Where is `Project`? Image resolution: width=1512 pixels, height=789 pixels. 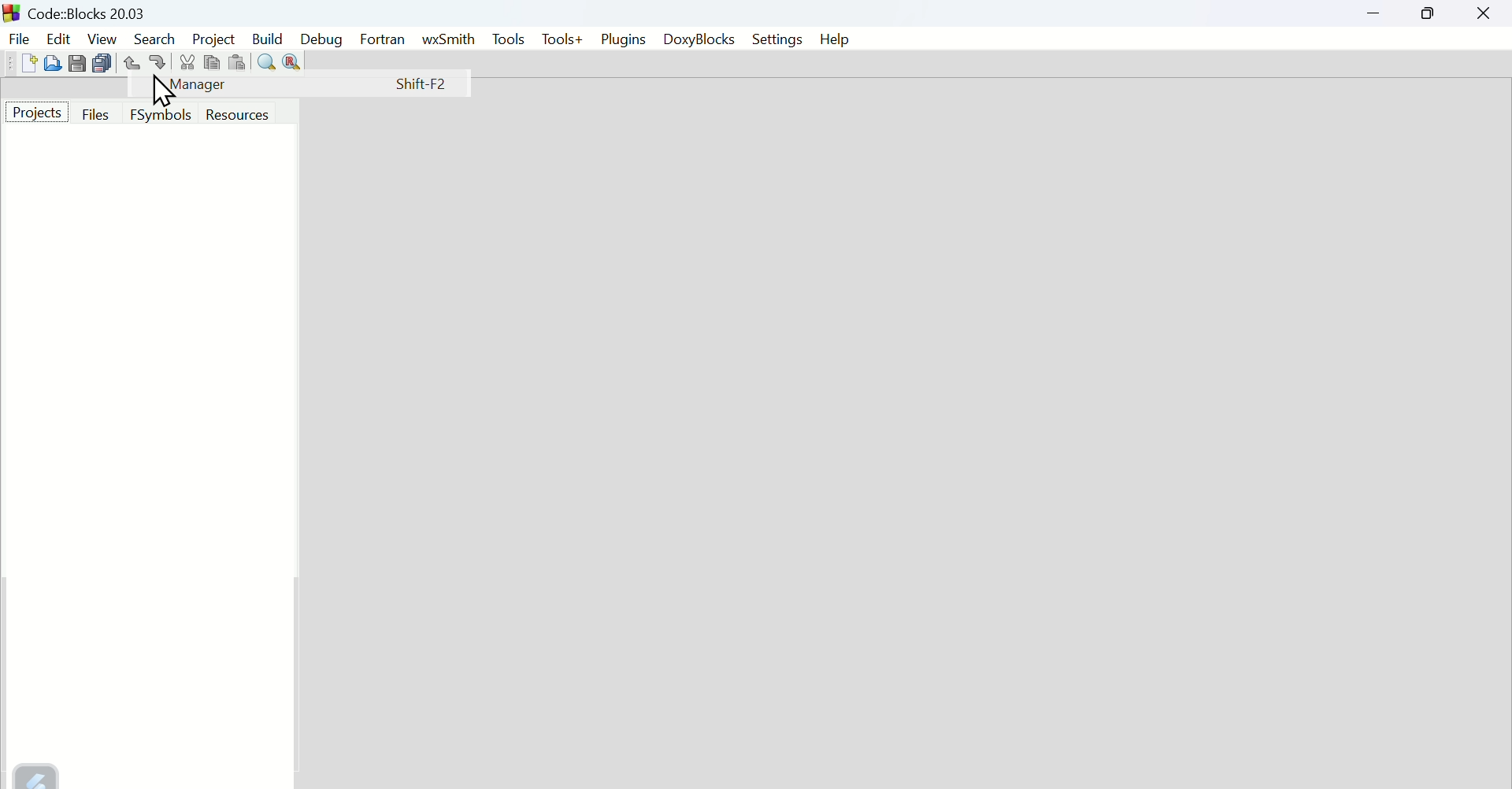
Project is located at coordinates (36, 112).